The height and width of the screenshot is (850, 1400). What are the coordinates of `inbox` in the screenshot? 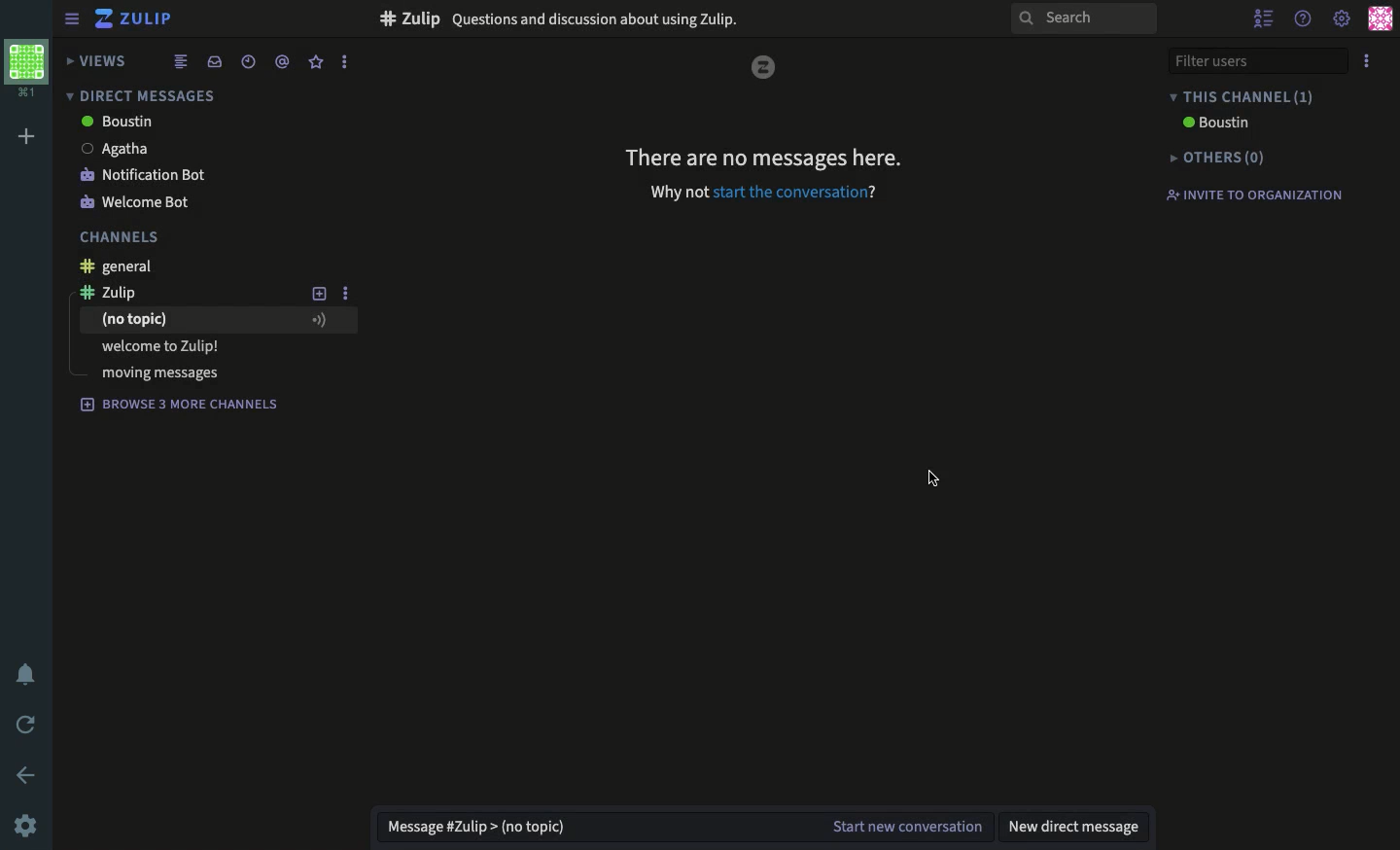 It's located at (214, 61).